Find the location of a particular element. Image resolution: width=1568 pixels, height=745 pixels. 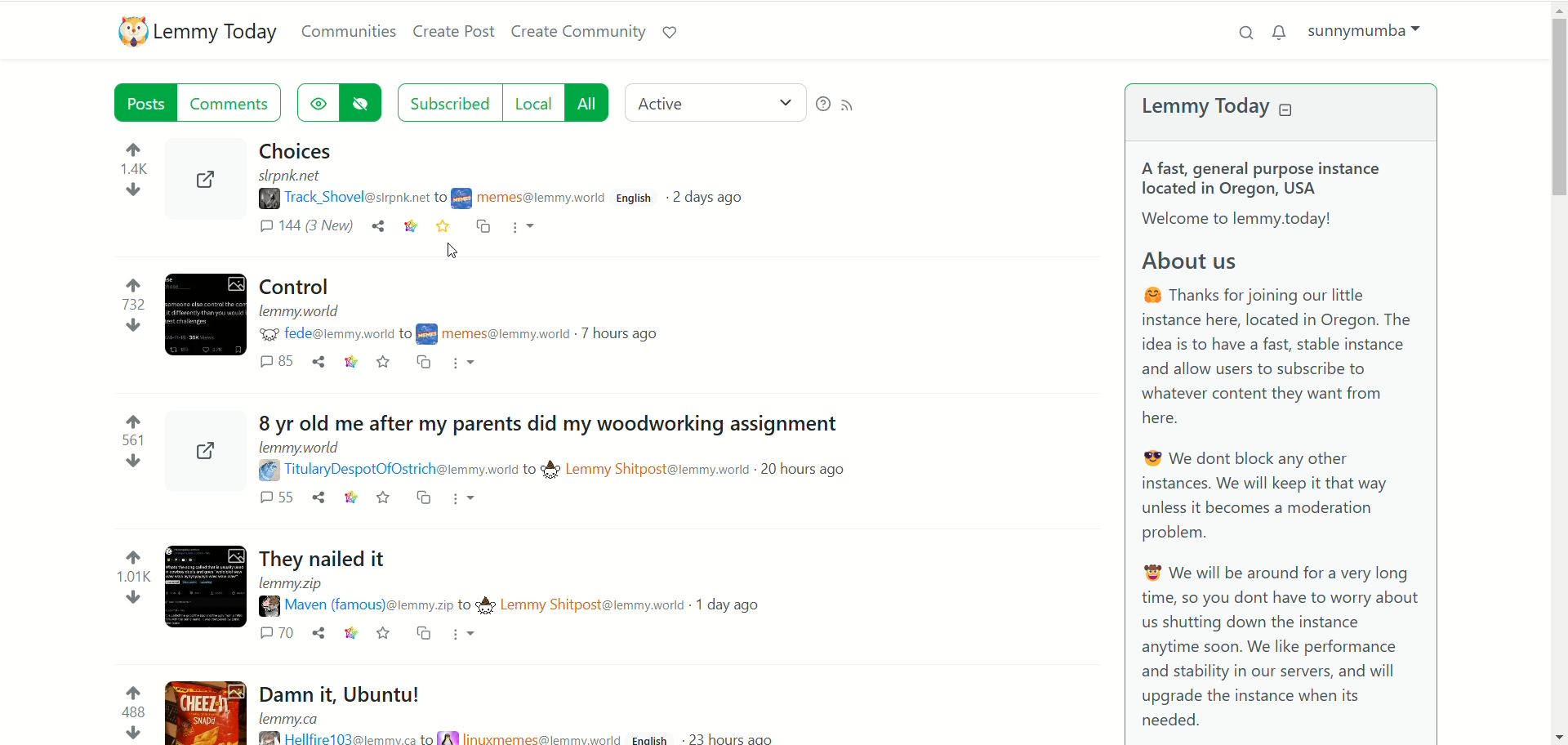

Post on "Control" is located at coordinates (369, 307).